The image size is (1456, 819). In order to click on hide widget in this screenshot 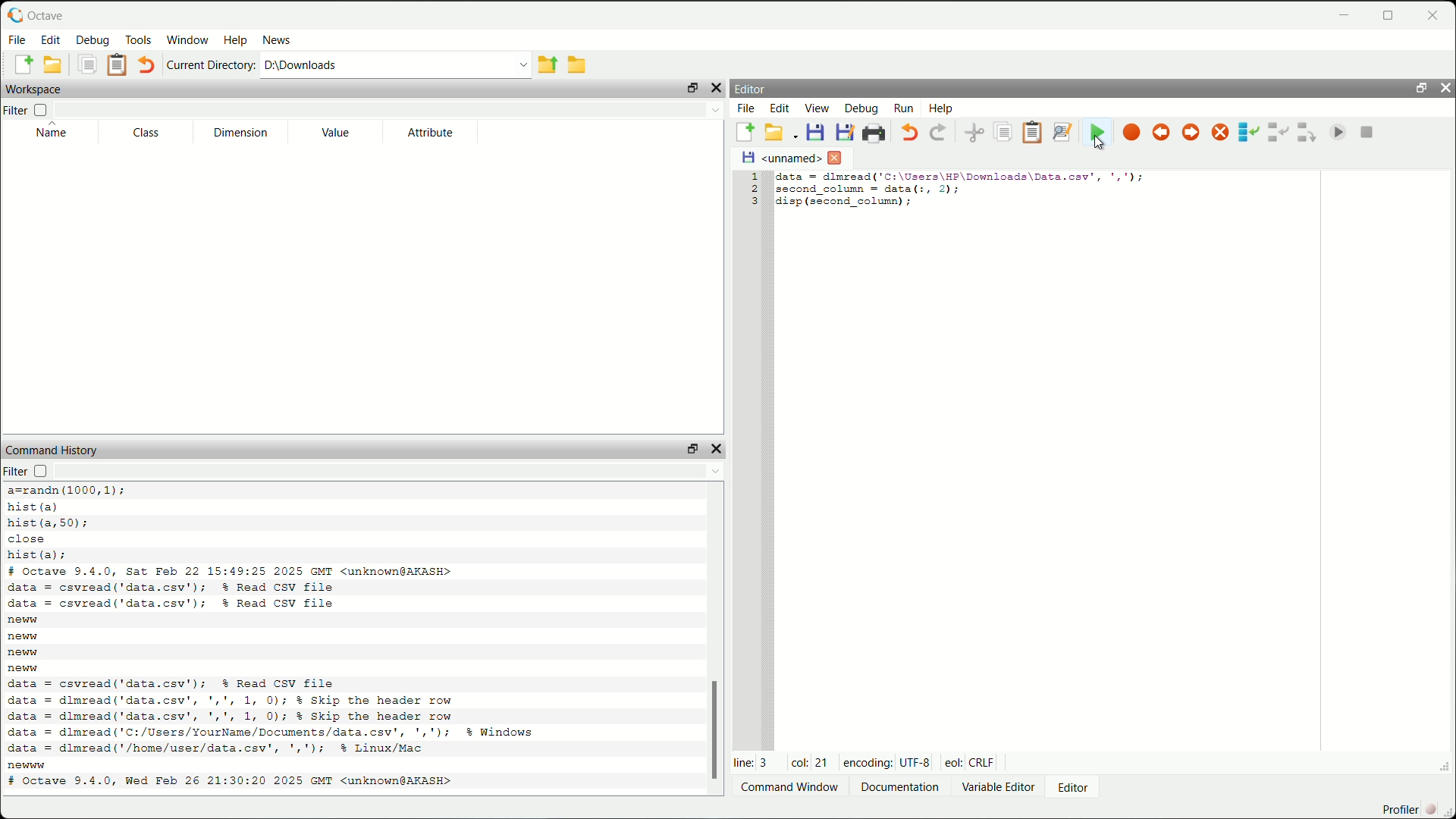, I will do `click(1446, 88)`.